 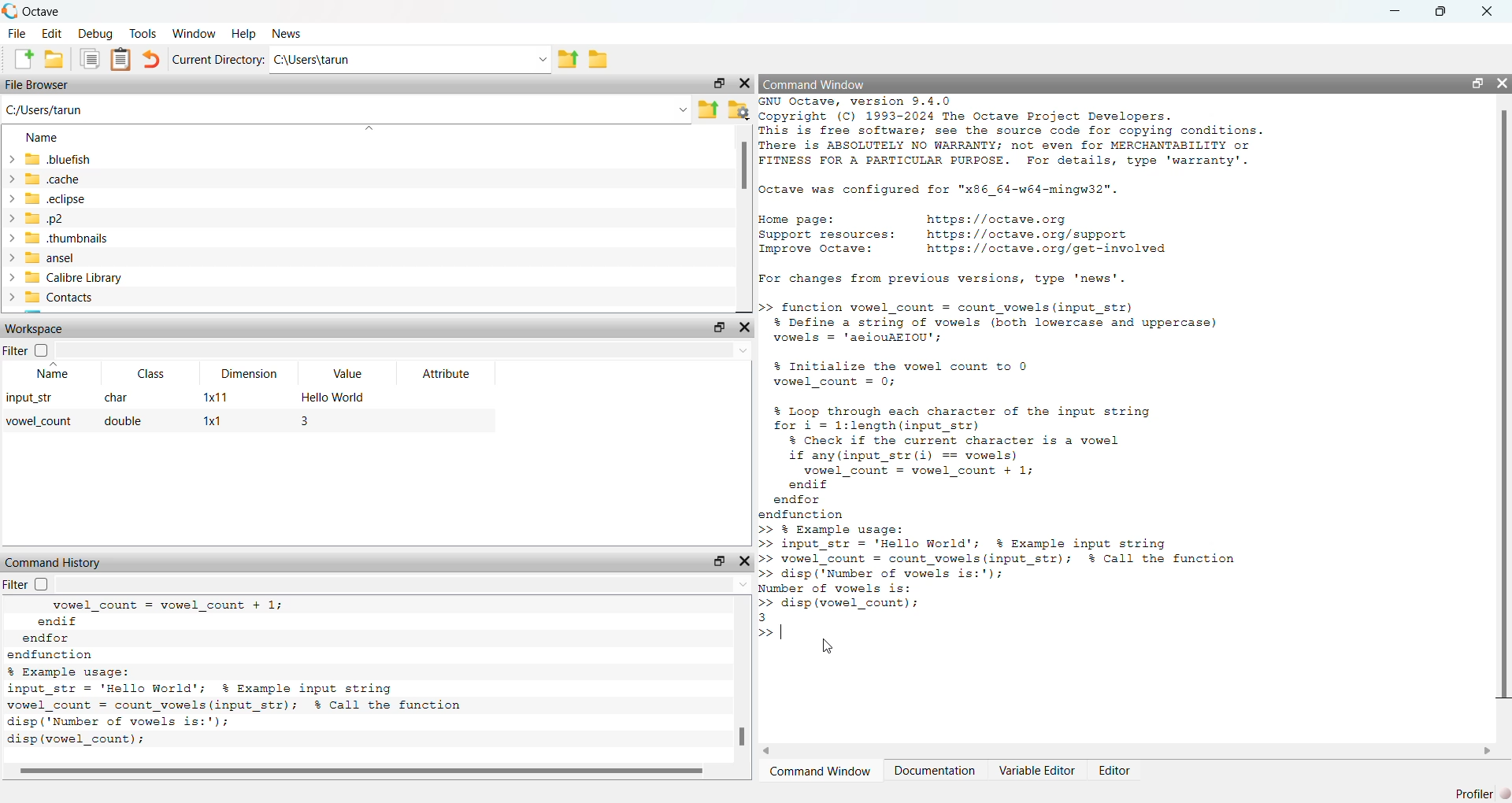 What do you see at coordinates (152, 58) in the screenshot?
I see `Undo` at bounding box center [152, 58].